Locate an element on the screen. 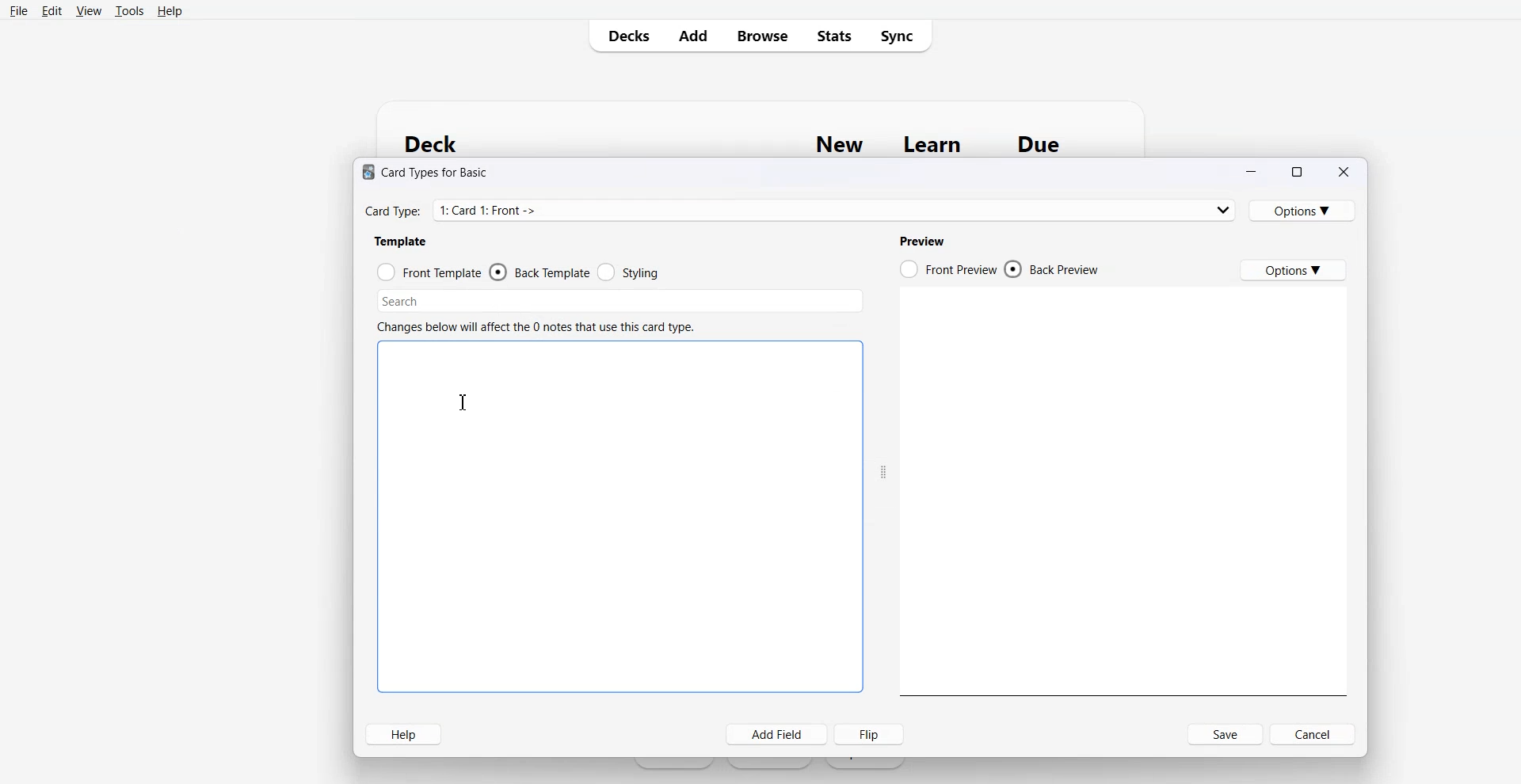 The width and height of the screenshot is (1521, 784). Due is located at coordinates (1039, 144).